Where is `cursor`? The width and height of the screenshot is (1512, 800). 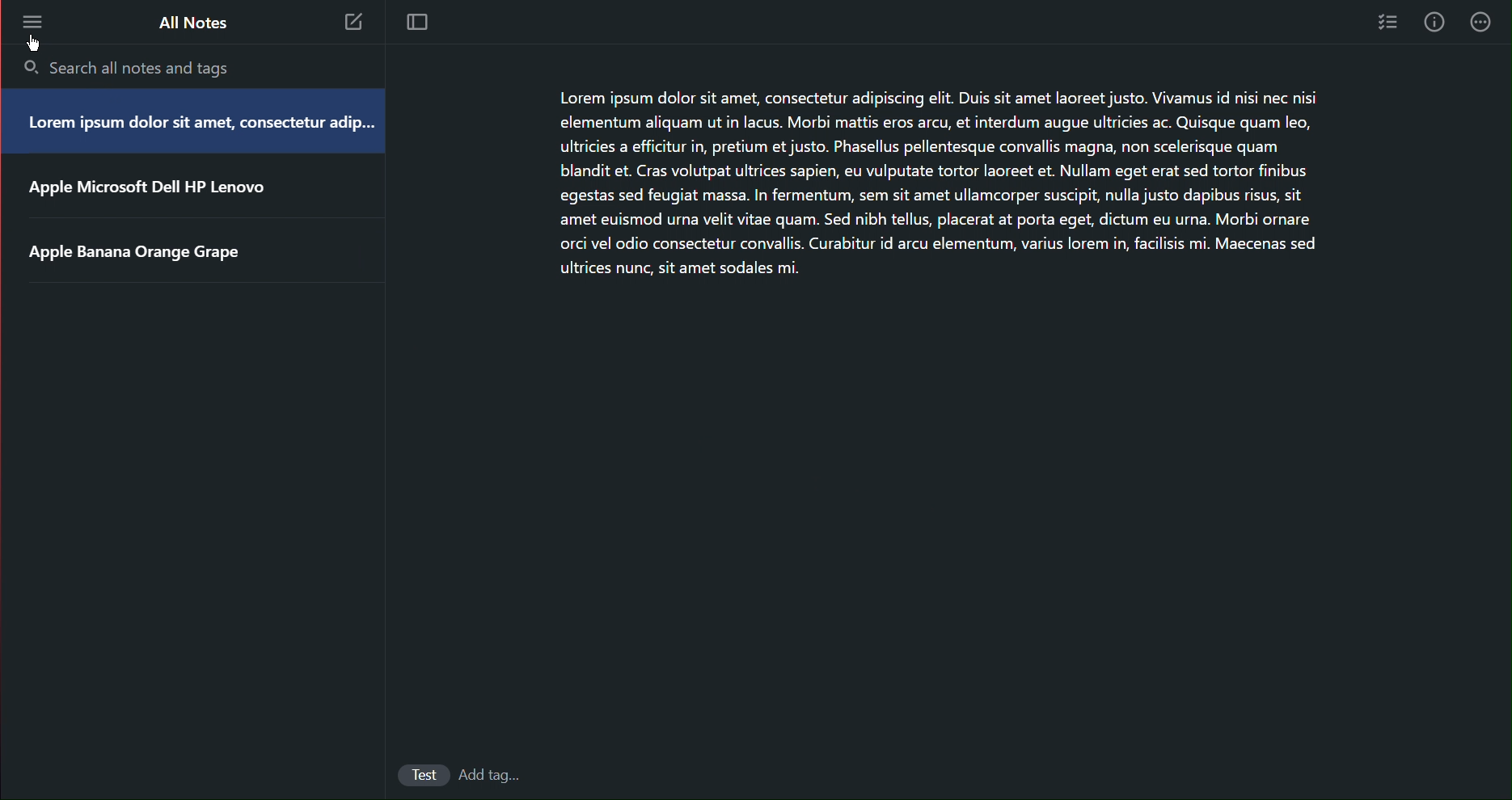 cursor is located at coordinates (40, 47).